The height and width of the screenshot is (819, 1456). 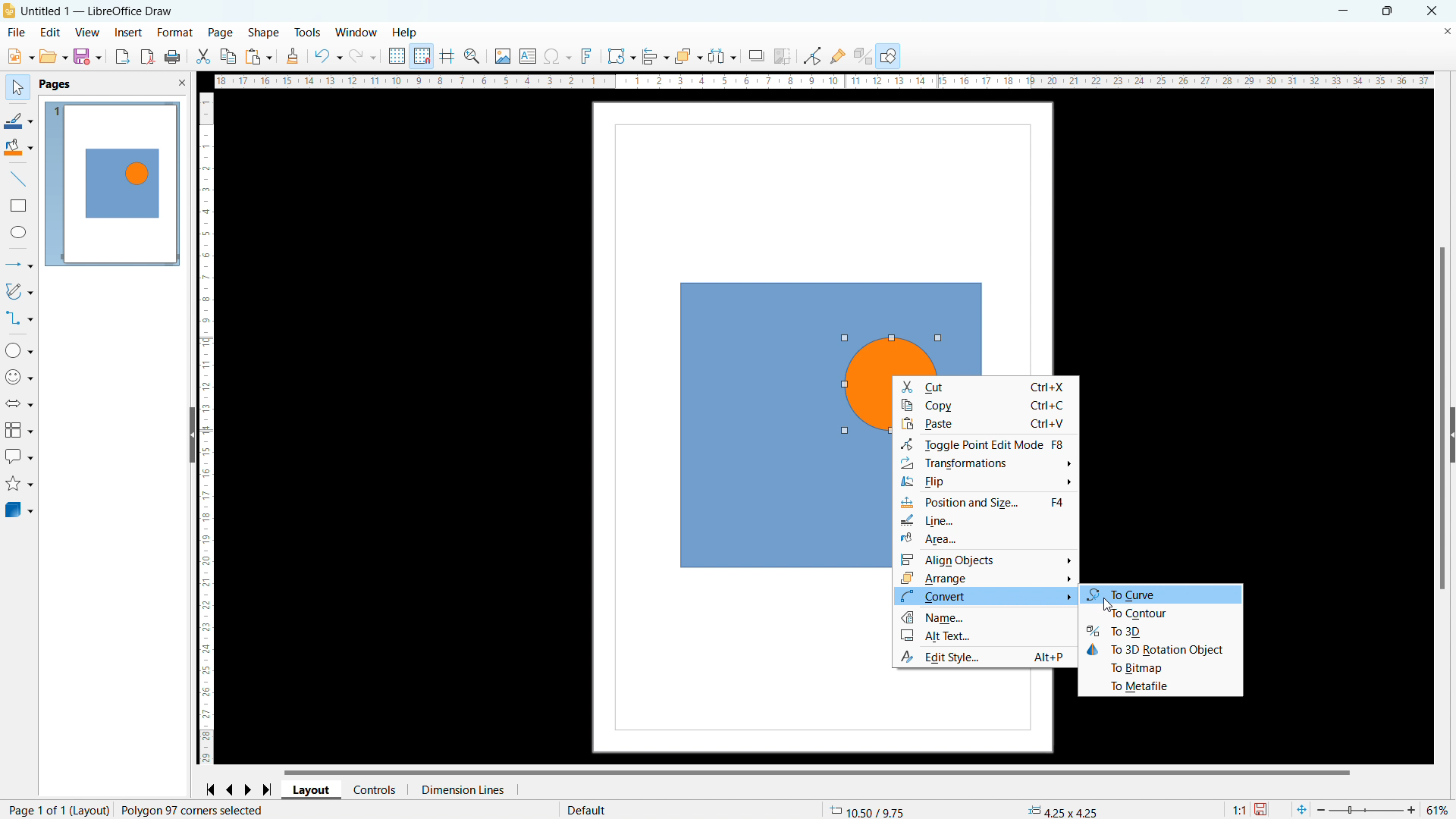 What do you see at coordinates (471, 56) in the screenshot?
I see `xoom snd pan` at bounding box center [471, 56].